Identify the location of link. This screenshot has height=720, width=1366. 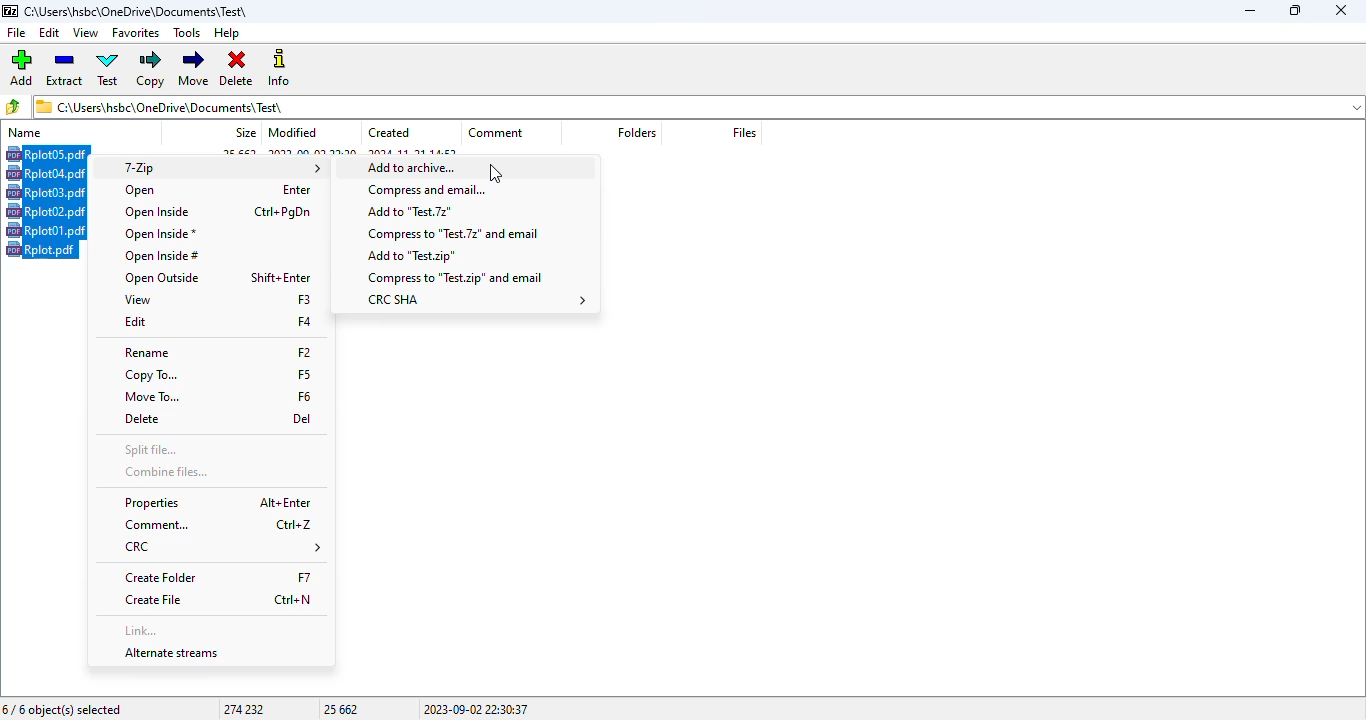
(139, 629).